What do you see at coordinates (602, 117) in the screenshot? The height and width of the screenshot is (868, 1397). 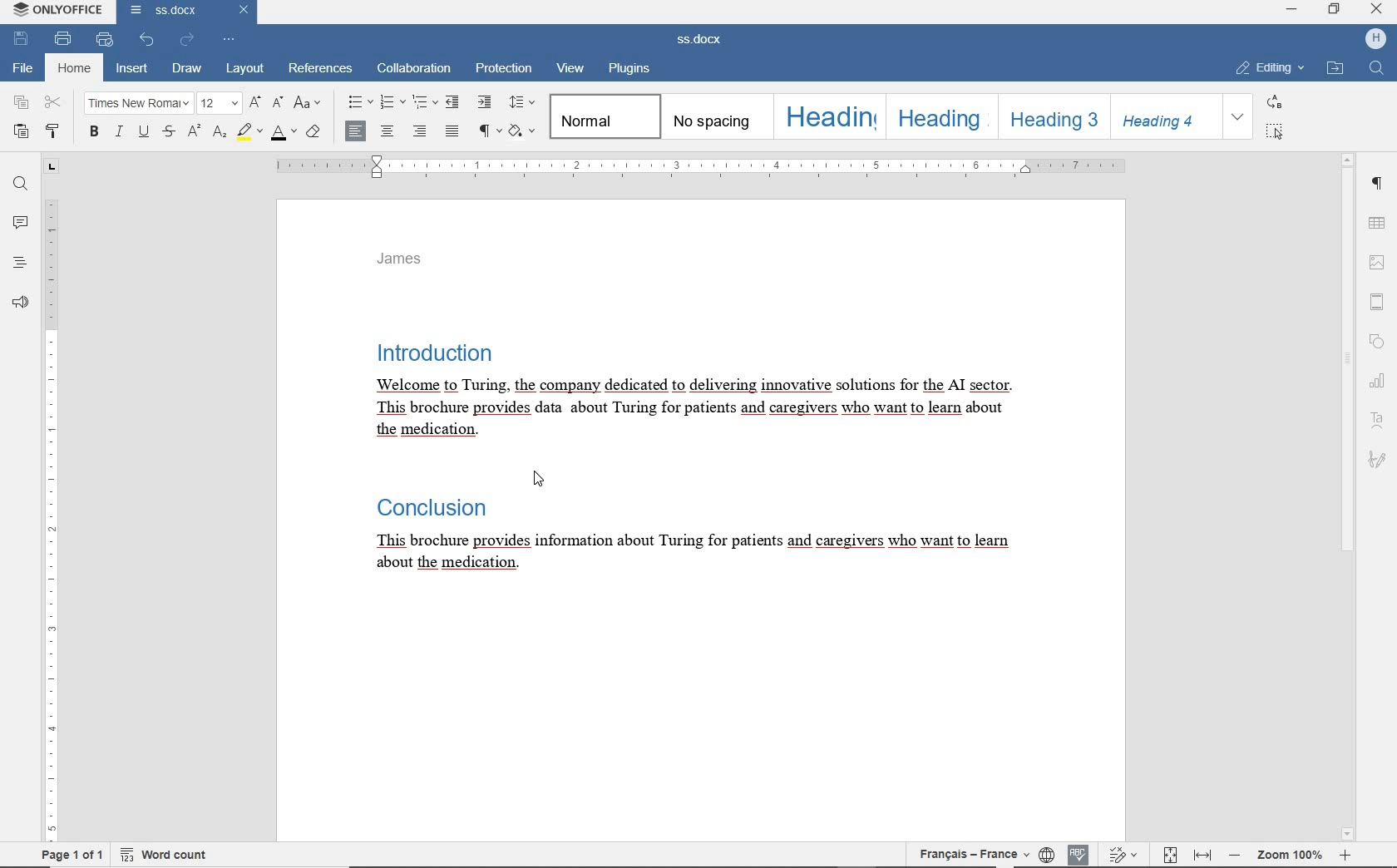 I see `NORMAL` at bounding box center [602, 117].